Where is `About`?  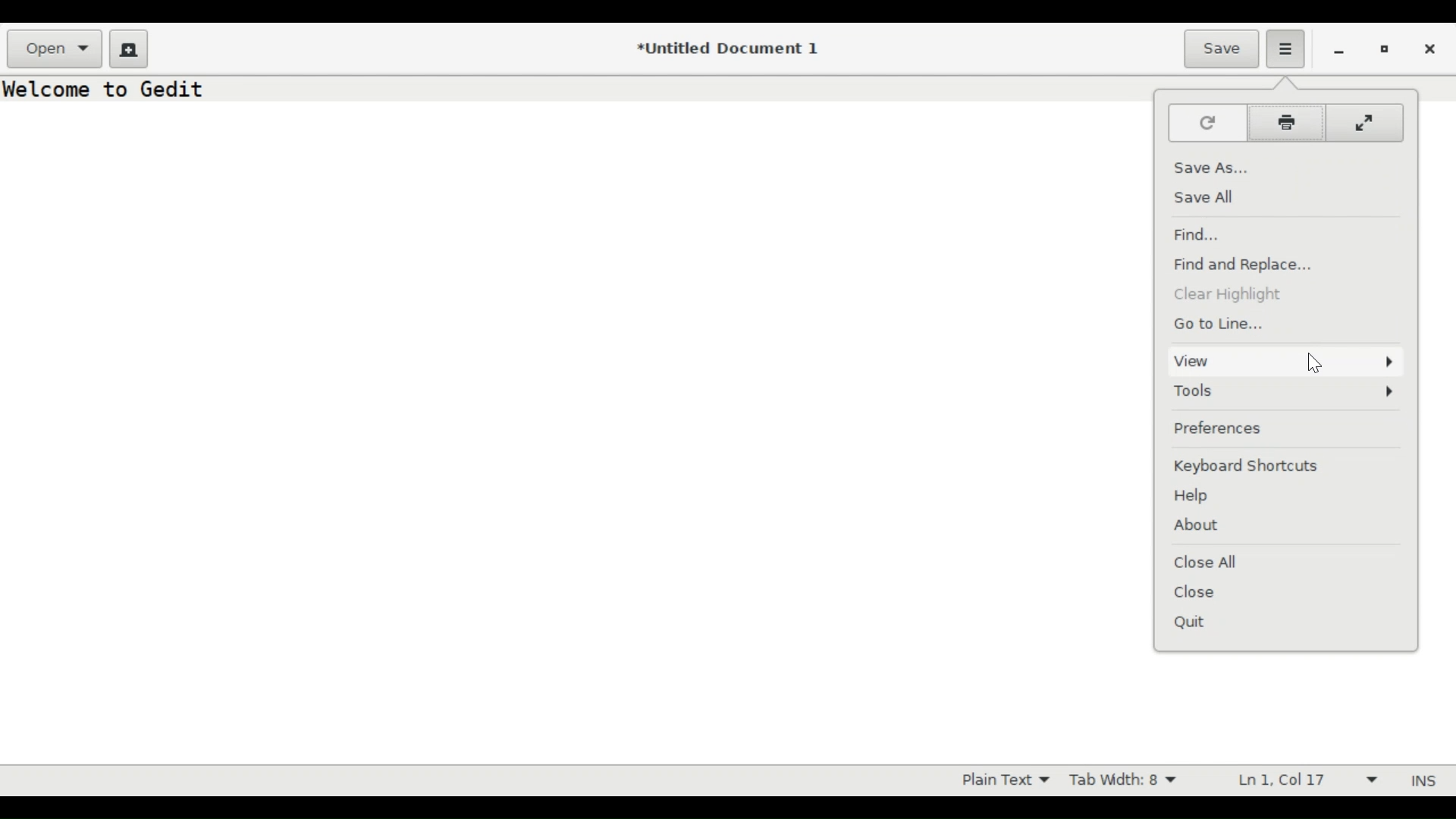 About is located at coordinates (1198, 527).